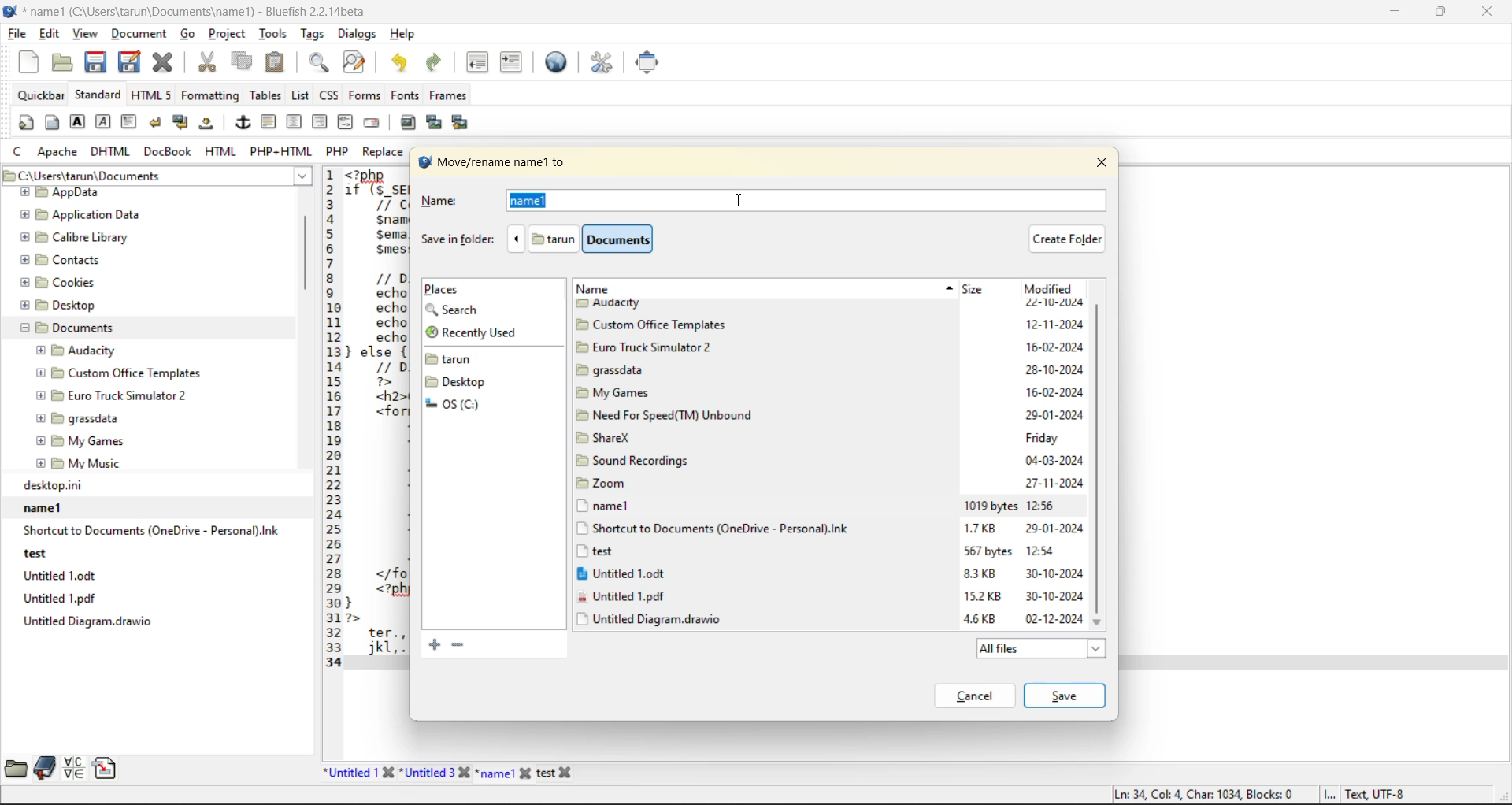  What do you see at coordinates (17, 34) in the screenshot?
I see `file` at bounding box center [17, 34].